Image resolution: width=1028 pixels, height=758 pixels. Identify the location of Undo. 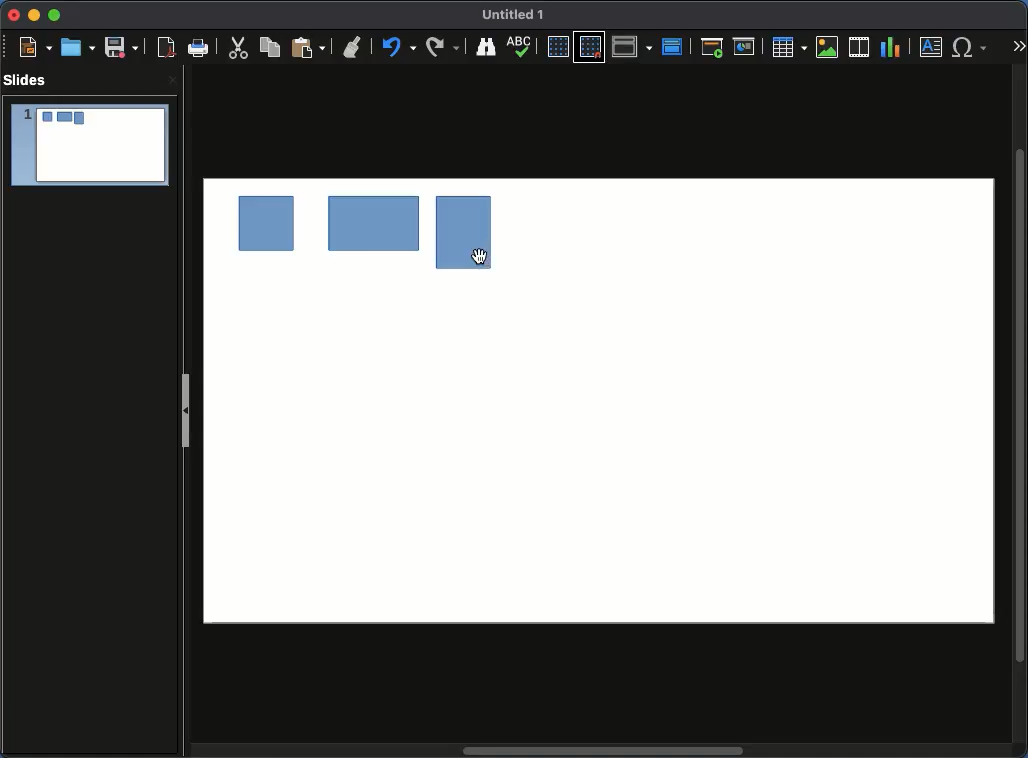
(352, 43).